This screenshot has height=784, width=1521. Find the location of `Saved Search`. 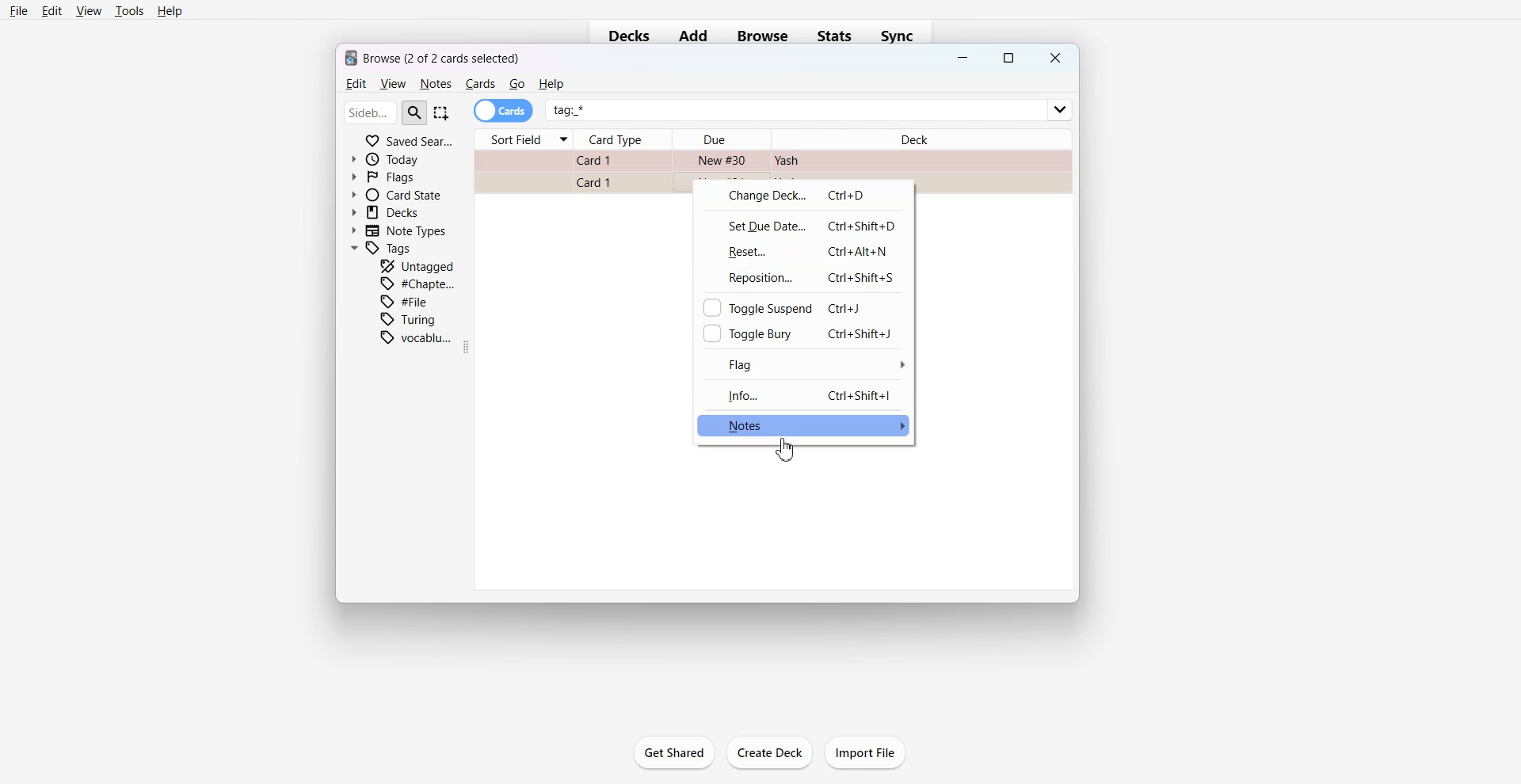

Saved Search is located at coordinates (409, 139).